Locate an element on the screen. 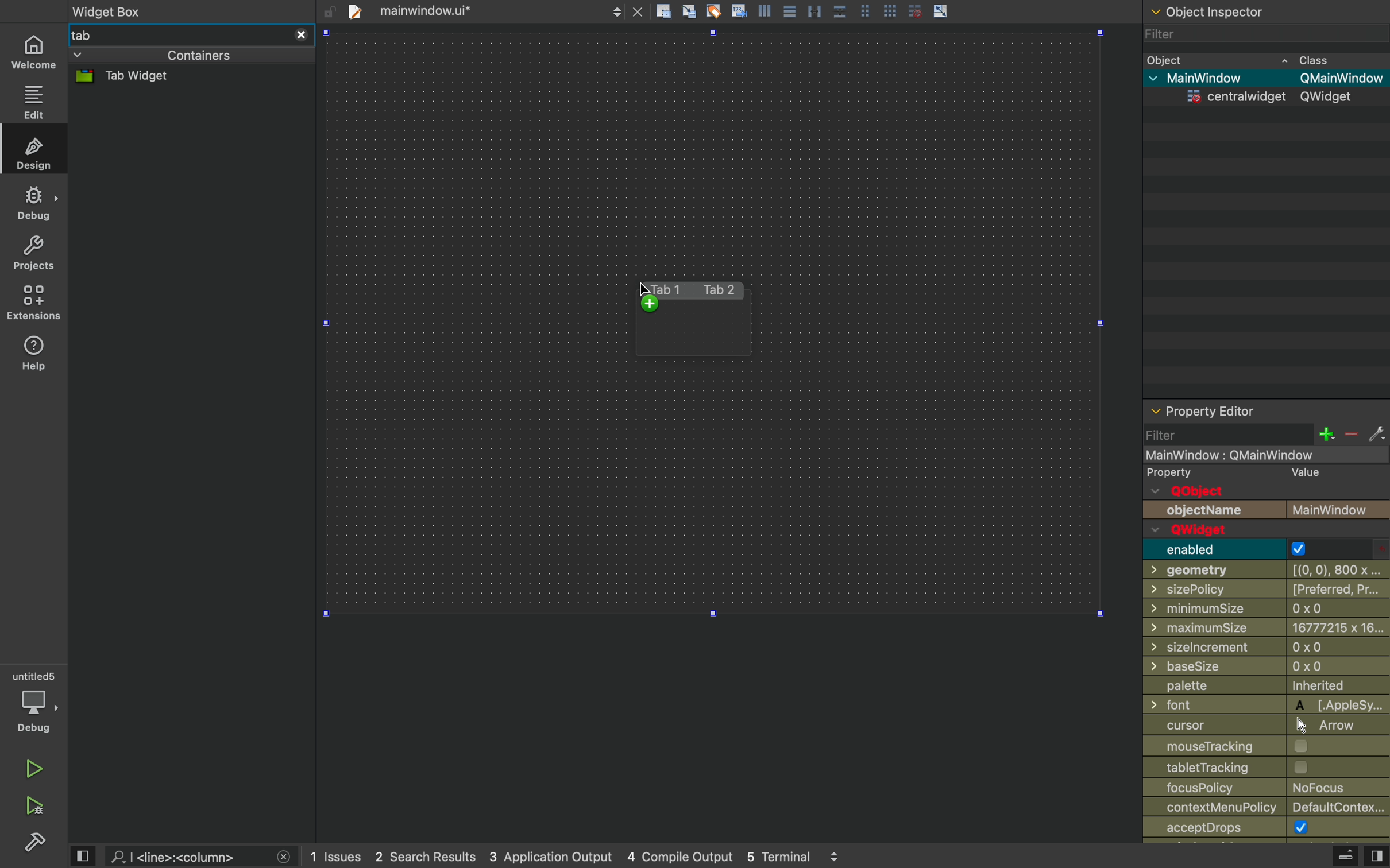  objectname is located at coordinates (1265, 509).